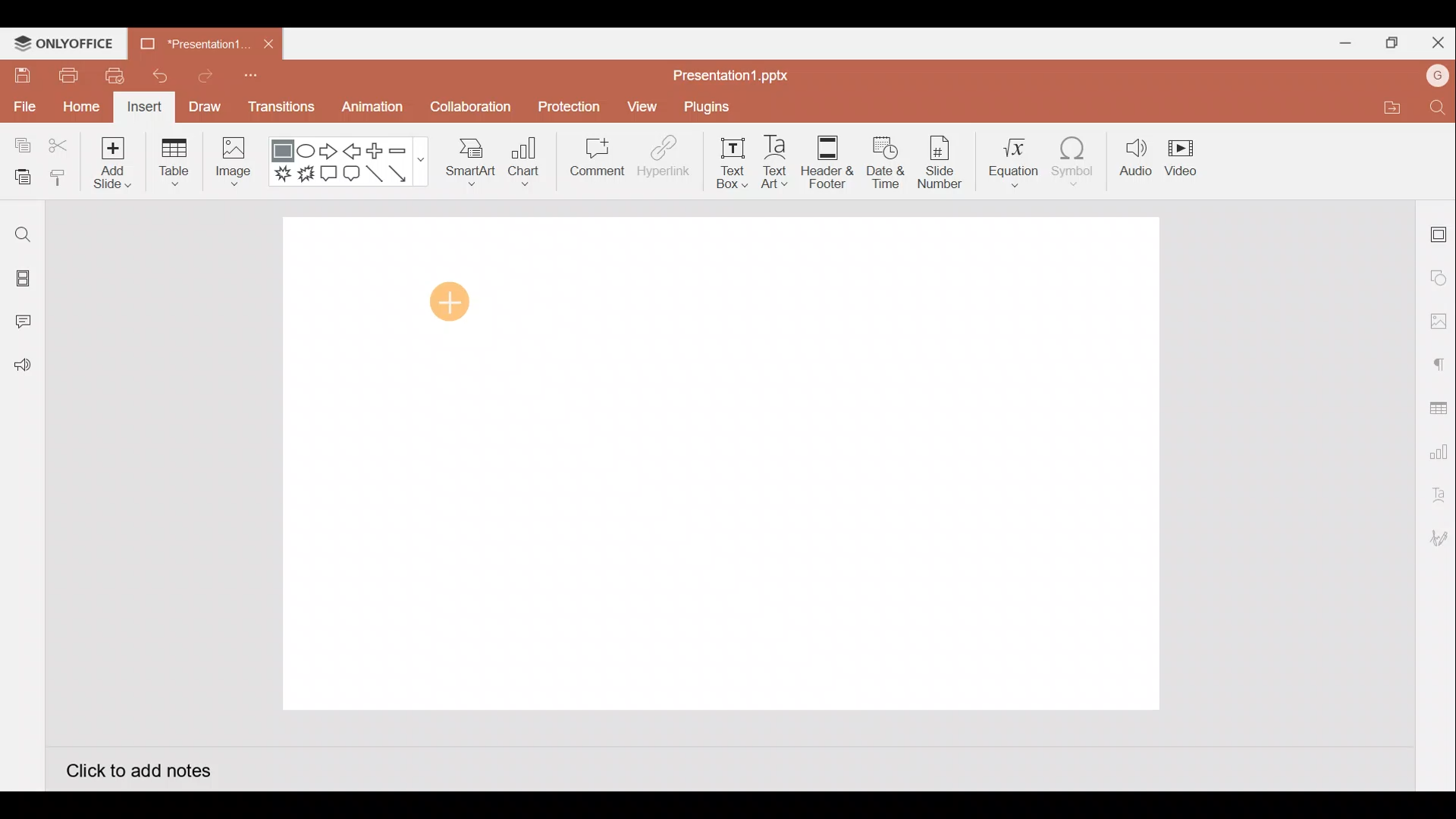  I want to click on Presentation1.pptx, so click(734, 71).